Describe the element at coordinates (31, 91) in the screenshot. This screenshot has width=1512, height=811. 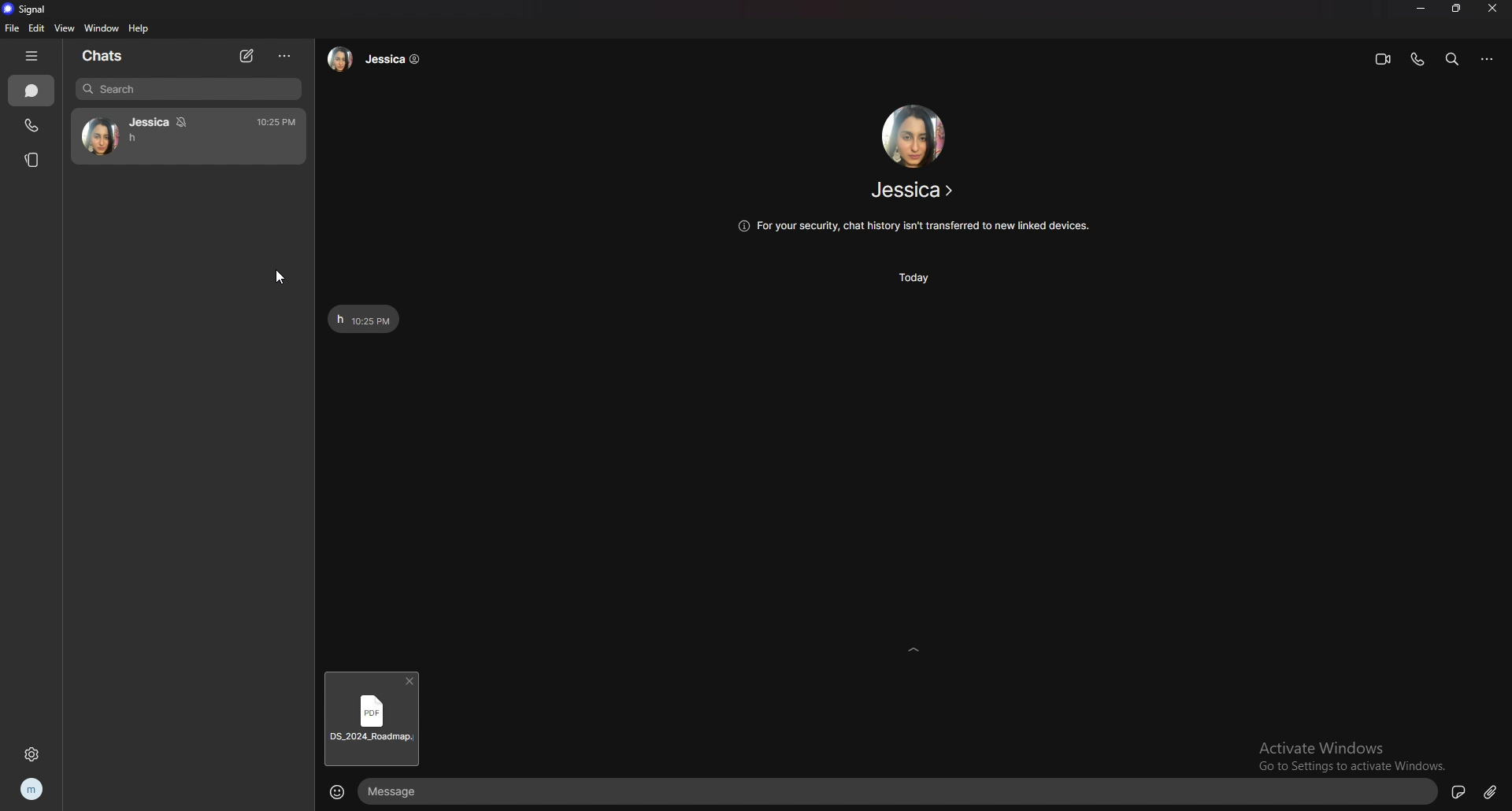
I see `chats` at that location.